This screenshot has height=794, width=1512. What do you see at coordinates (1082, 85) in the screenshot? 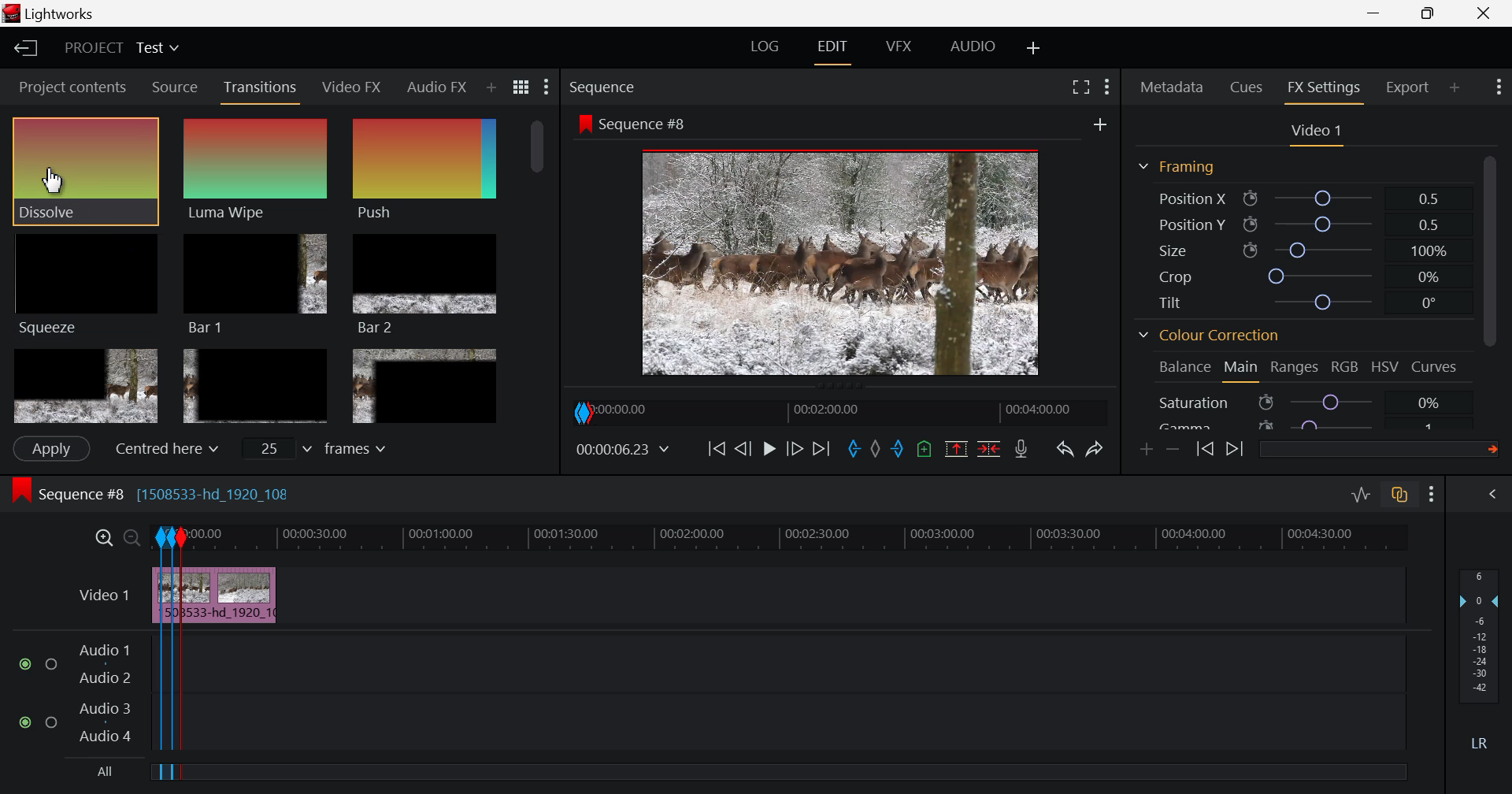
I see `Full Screen` at bounding box center [1082, 85].